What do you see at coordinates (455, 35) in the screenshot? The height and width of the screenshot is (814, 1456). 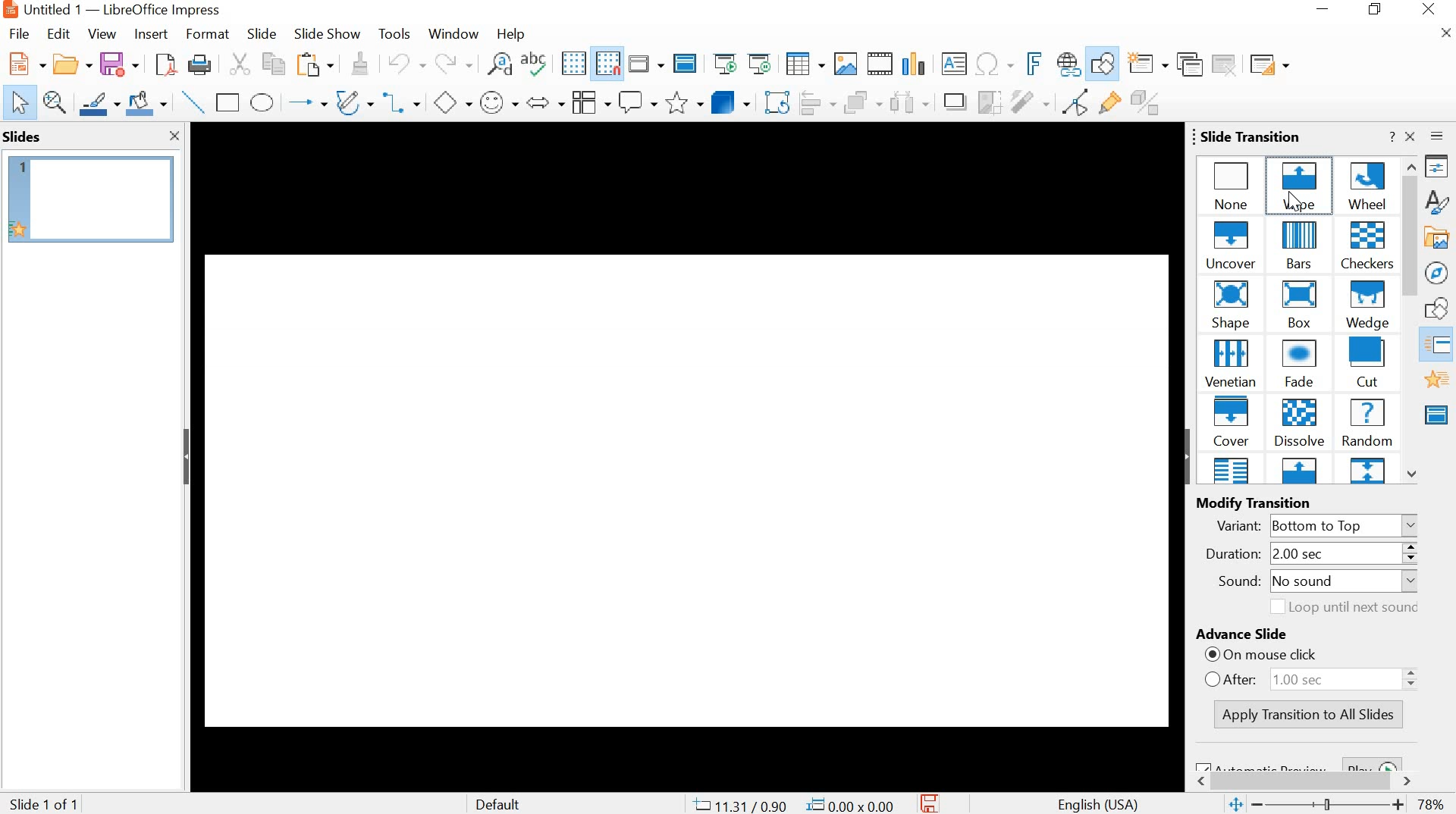 I see `WINDOW` at bounding box center [455, 35].